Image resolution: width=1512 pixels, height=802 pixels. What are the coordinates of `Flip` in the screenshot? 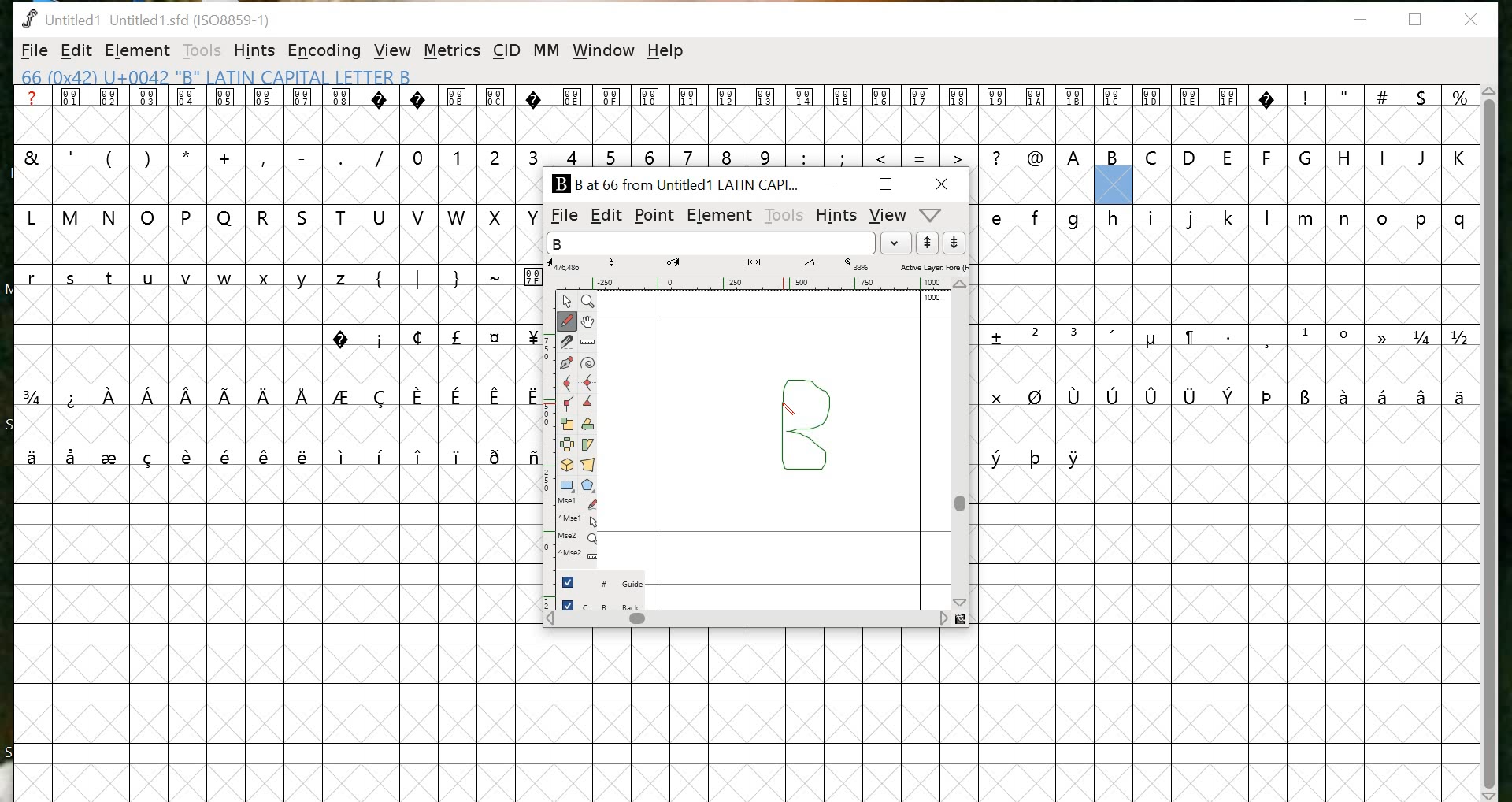 It's located at (568, 447).